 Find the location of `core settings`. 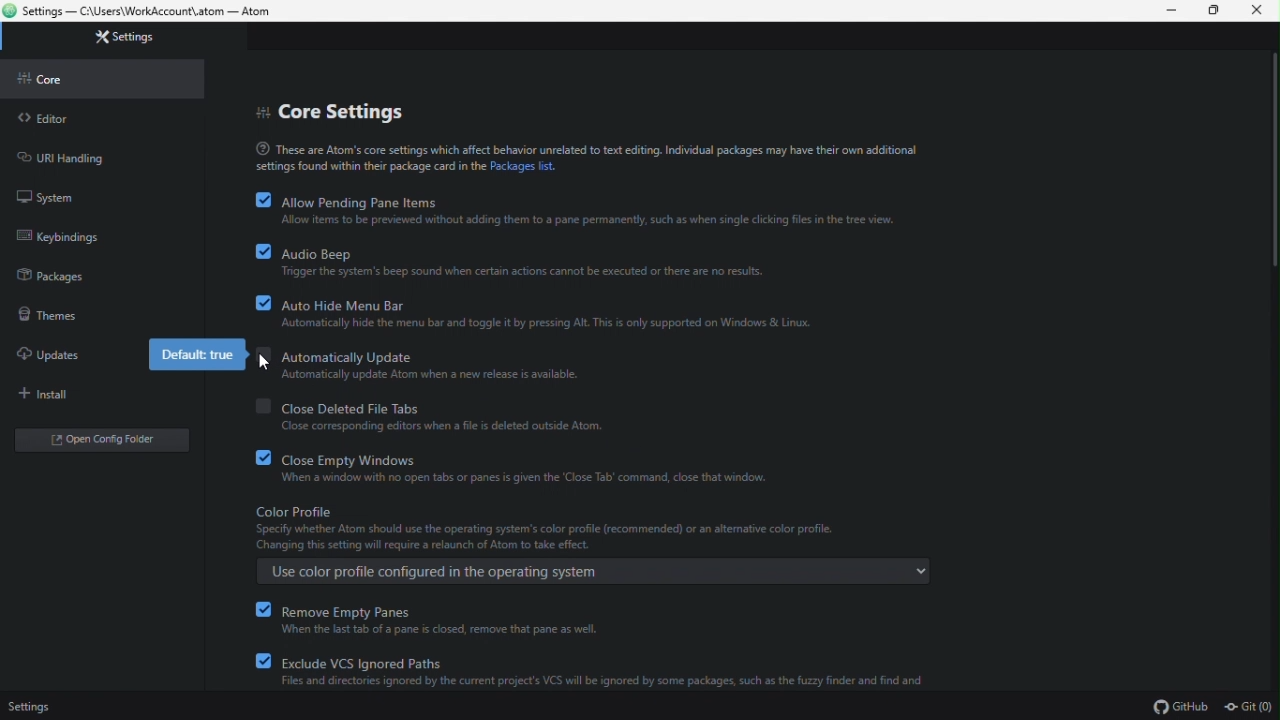

core settings is located at coordinates (332, 110).